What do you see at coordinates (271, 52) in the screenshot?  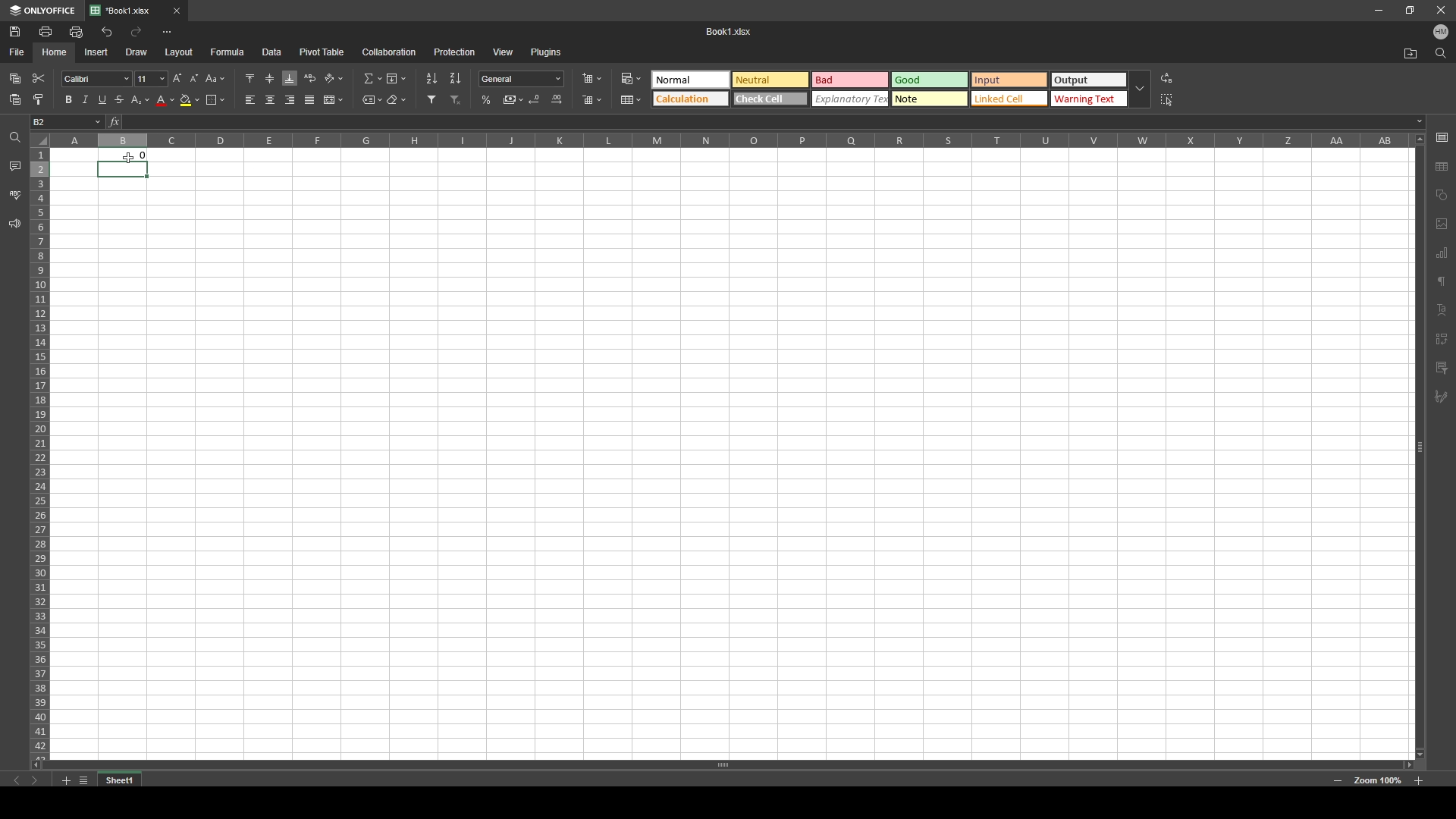 I see `data` at bounding box center [271, 52].